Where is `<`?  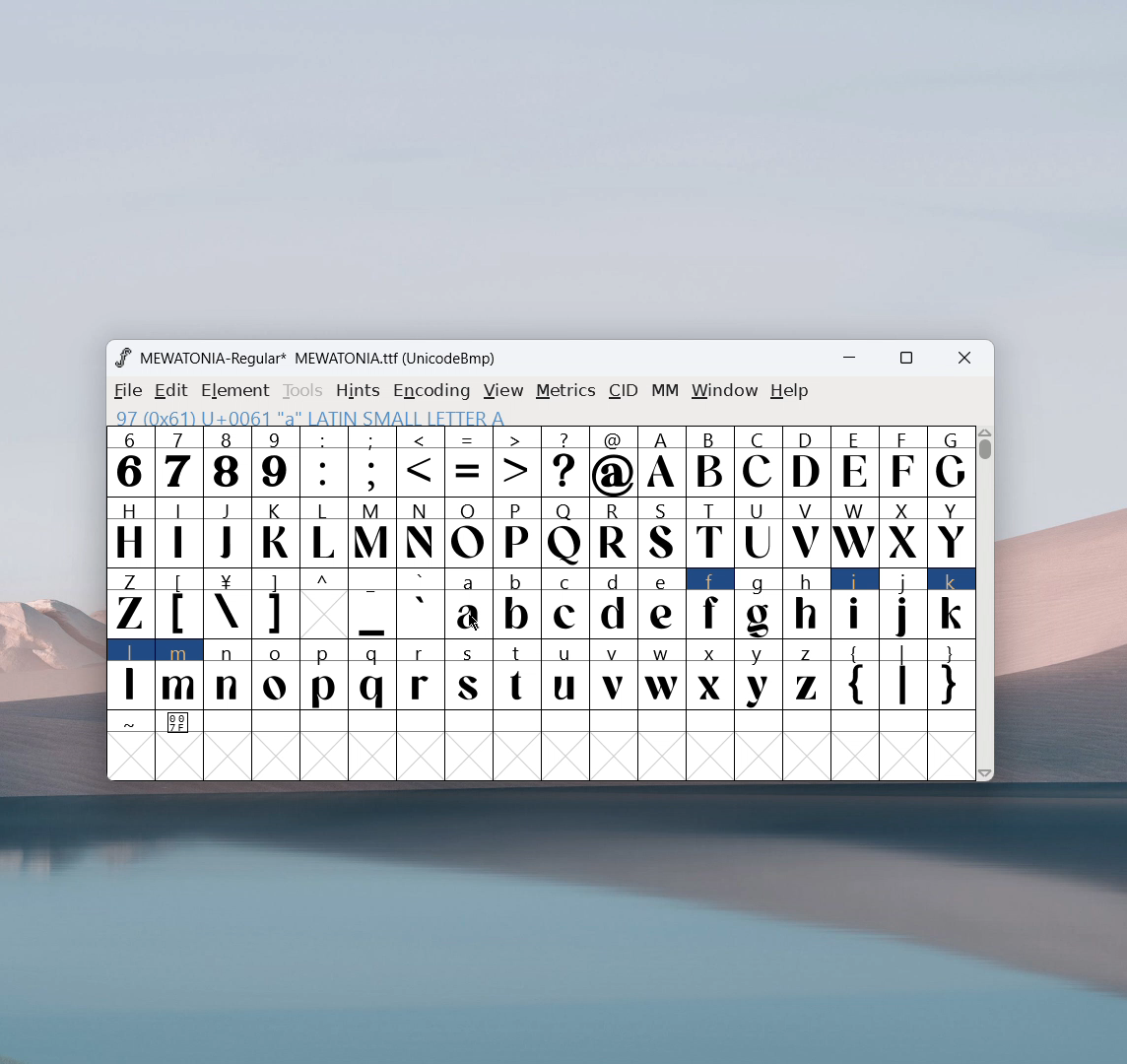
< is located at coordinates (423, 463).